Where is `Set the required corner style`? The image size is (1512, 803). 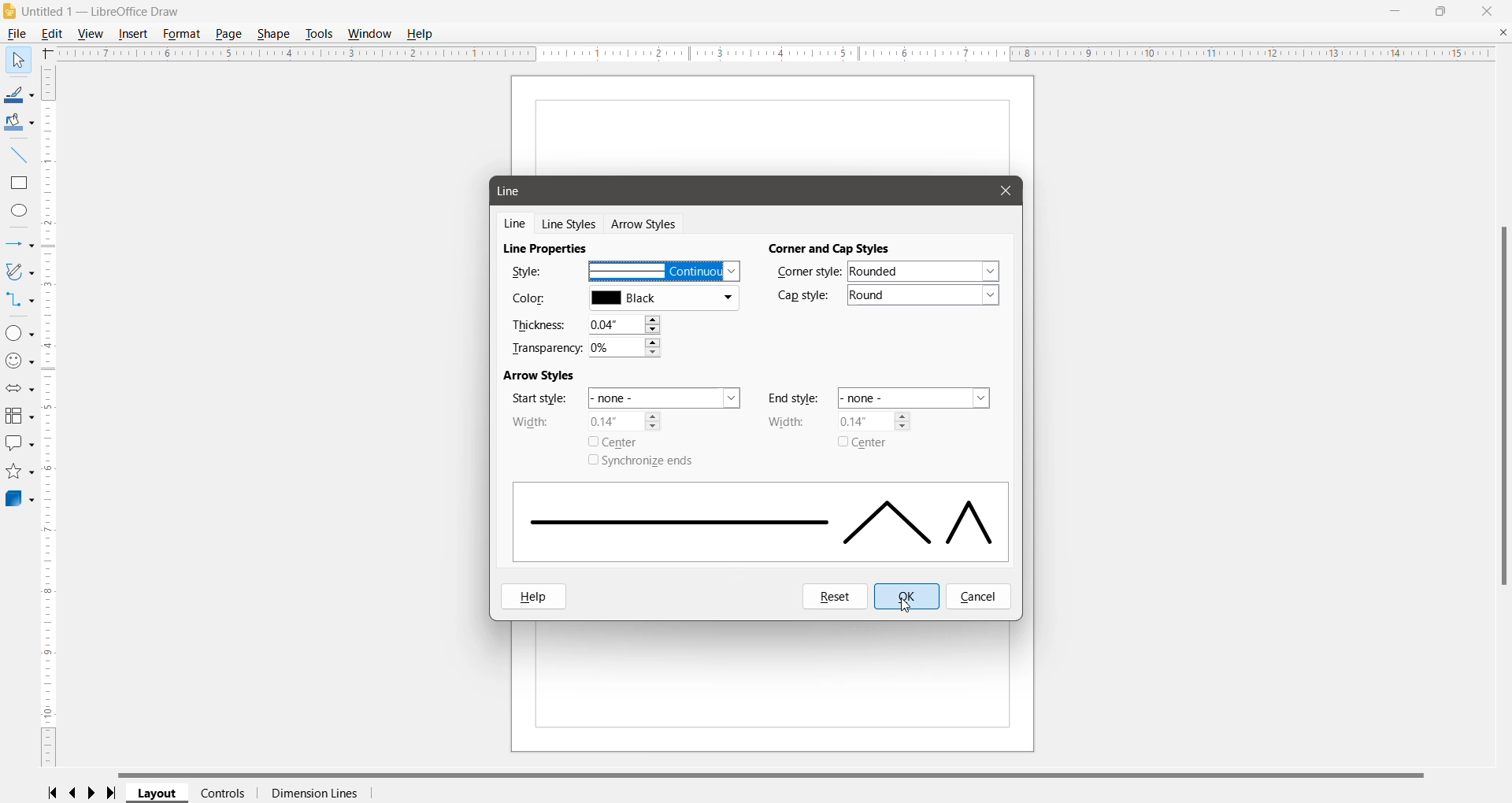
Set the required corner style is located at coordinates (923, 272).